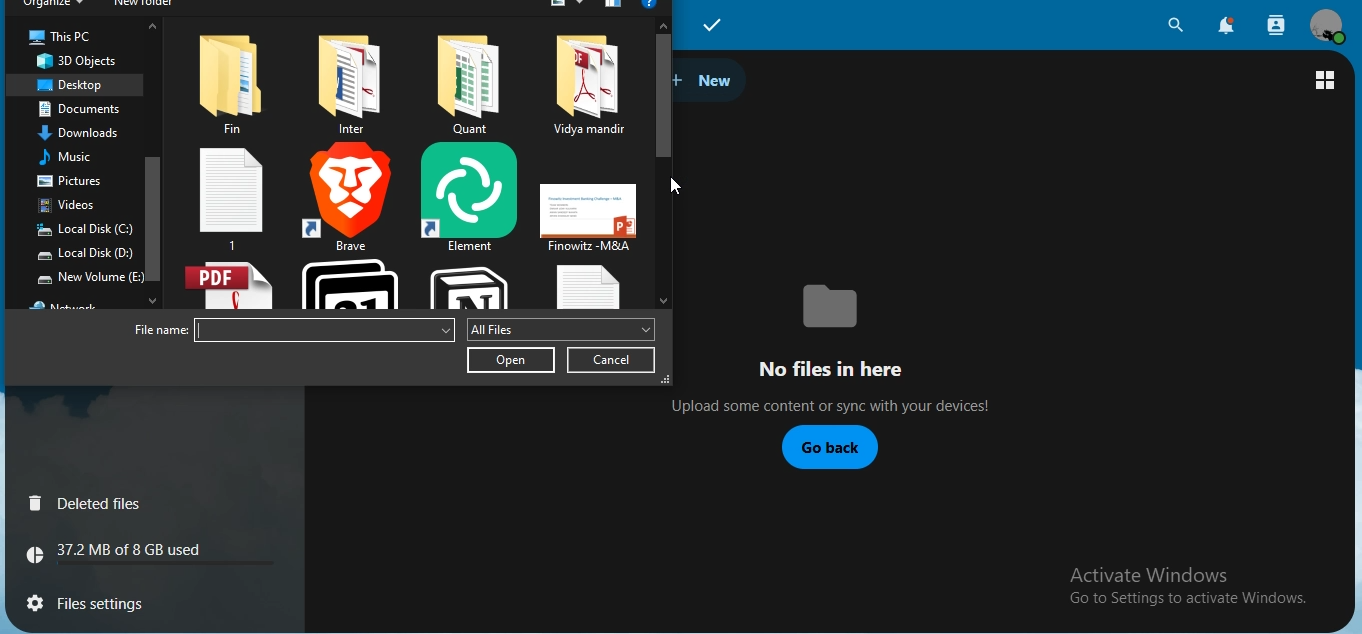 This screenshot has height=634, width=1362. Describe the element at coordinates (349, 283) in the screenshot. I see `notion calendar` at that location.